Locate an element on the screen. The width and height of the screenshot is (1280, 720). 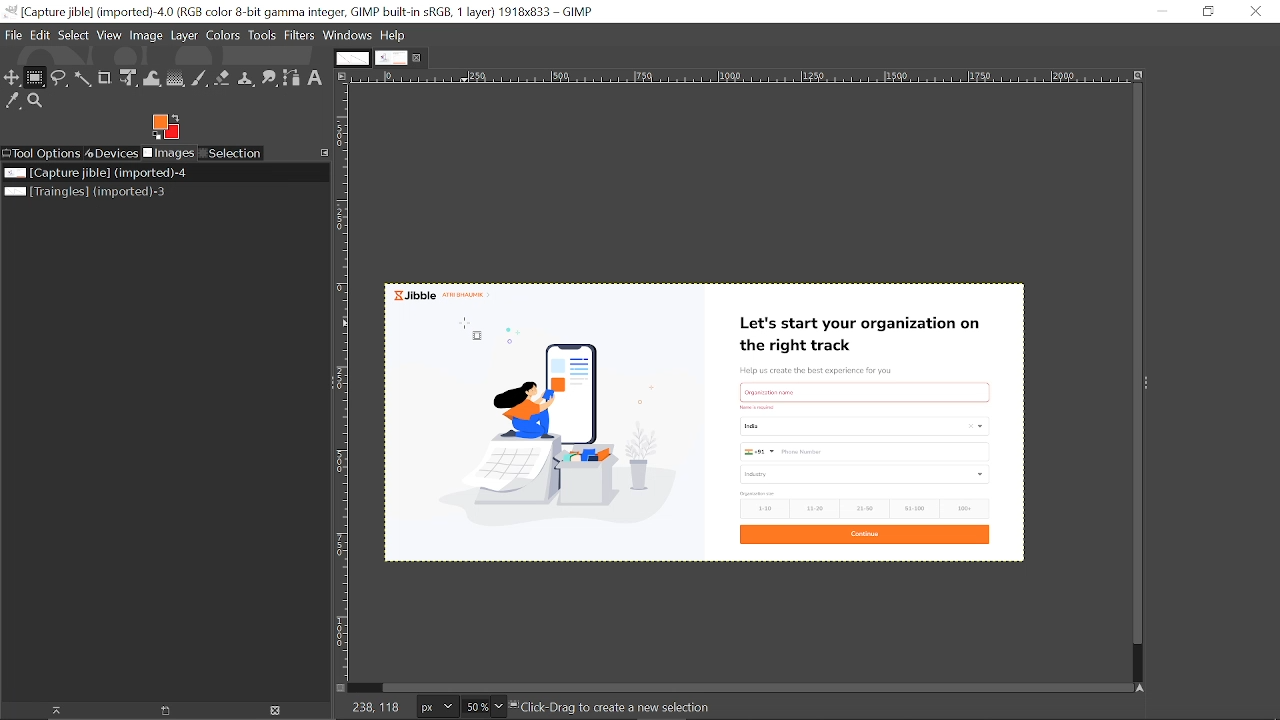
Smudge tool is located at coordinates (268, 78).